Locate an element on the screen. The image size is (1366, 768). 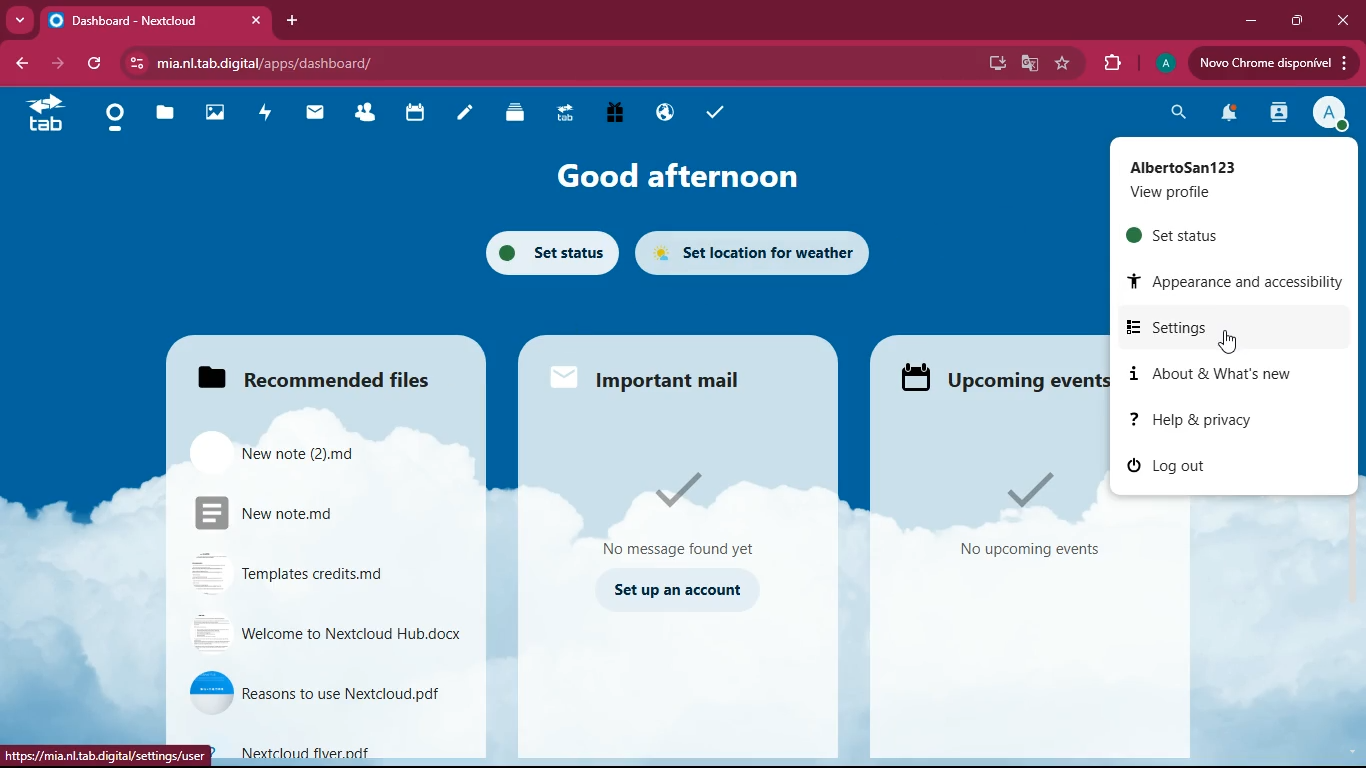
desktop is located at coordinates (994, 65).